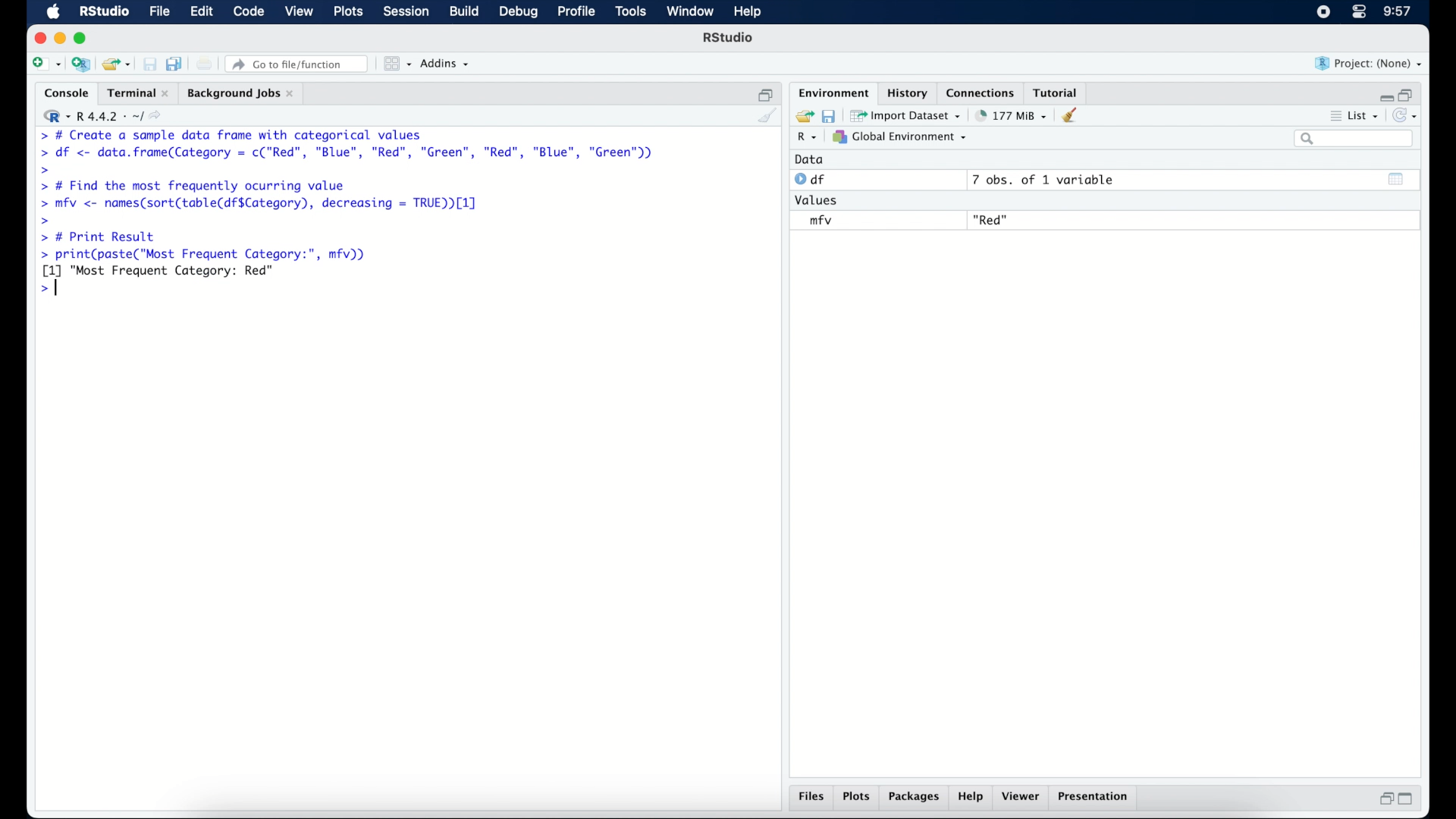 Image resolution: width=1456 pixels, height=819 pixels. Describe the element at coordinates (38, 135) in the screenshot. I see `command prompt` at that location.